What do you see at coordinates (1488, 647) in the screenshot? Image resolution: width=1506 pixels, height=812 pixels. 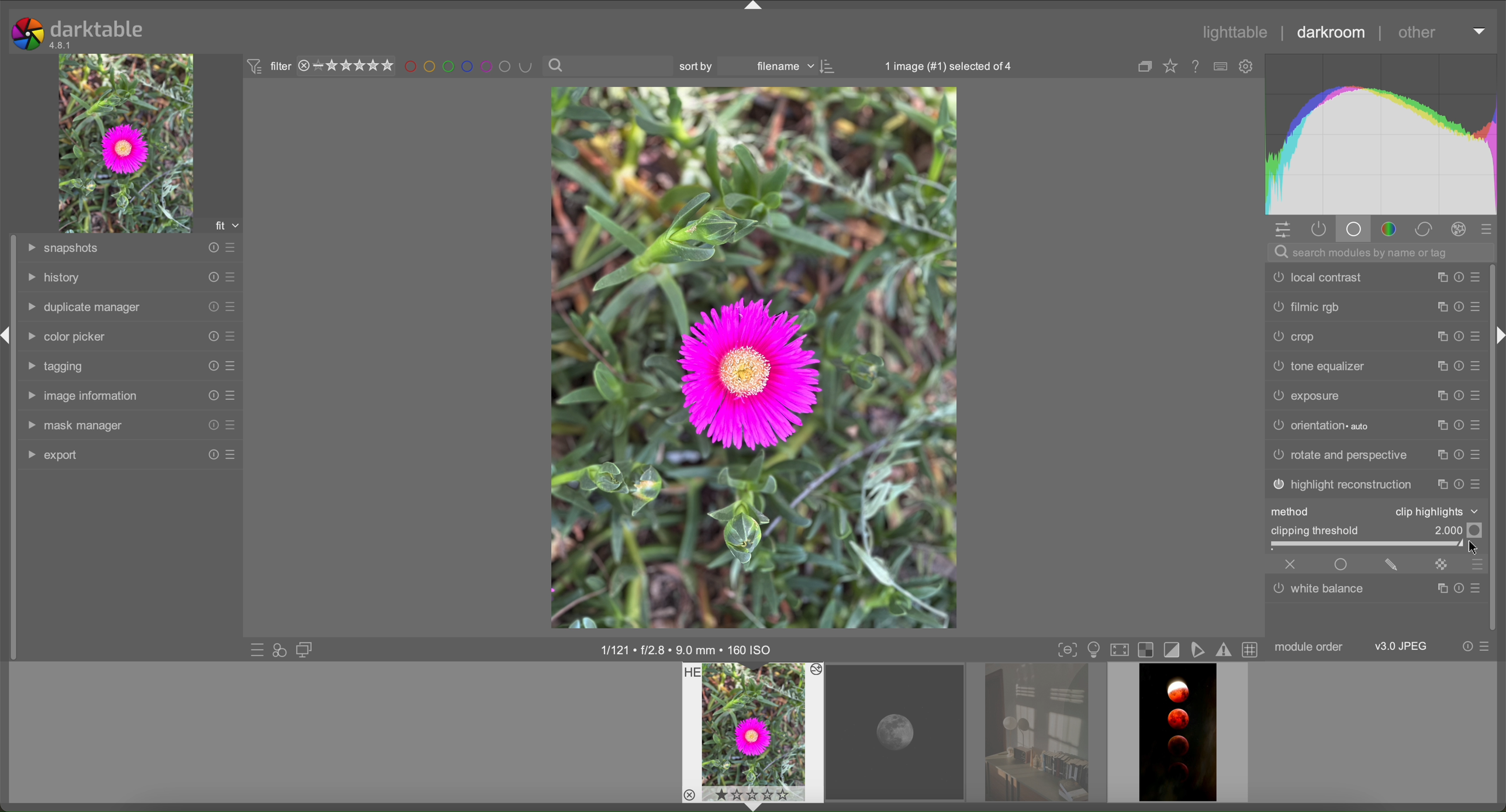 I see `presets` at bounding box center [1488, 647].